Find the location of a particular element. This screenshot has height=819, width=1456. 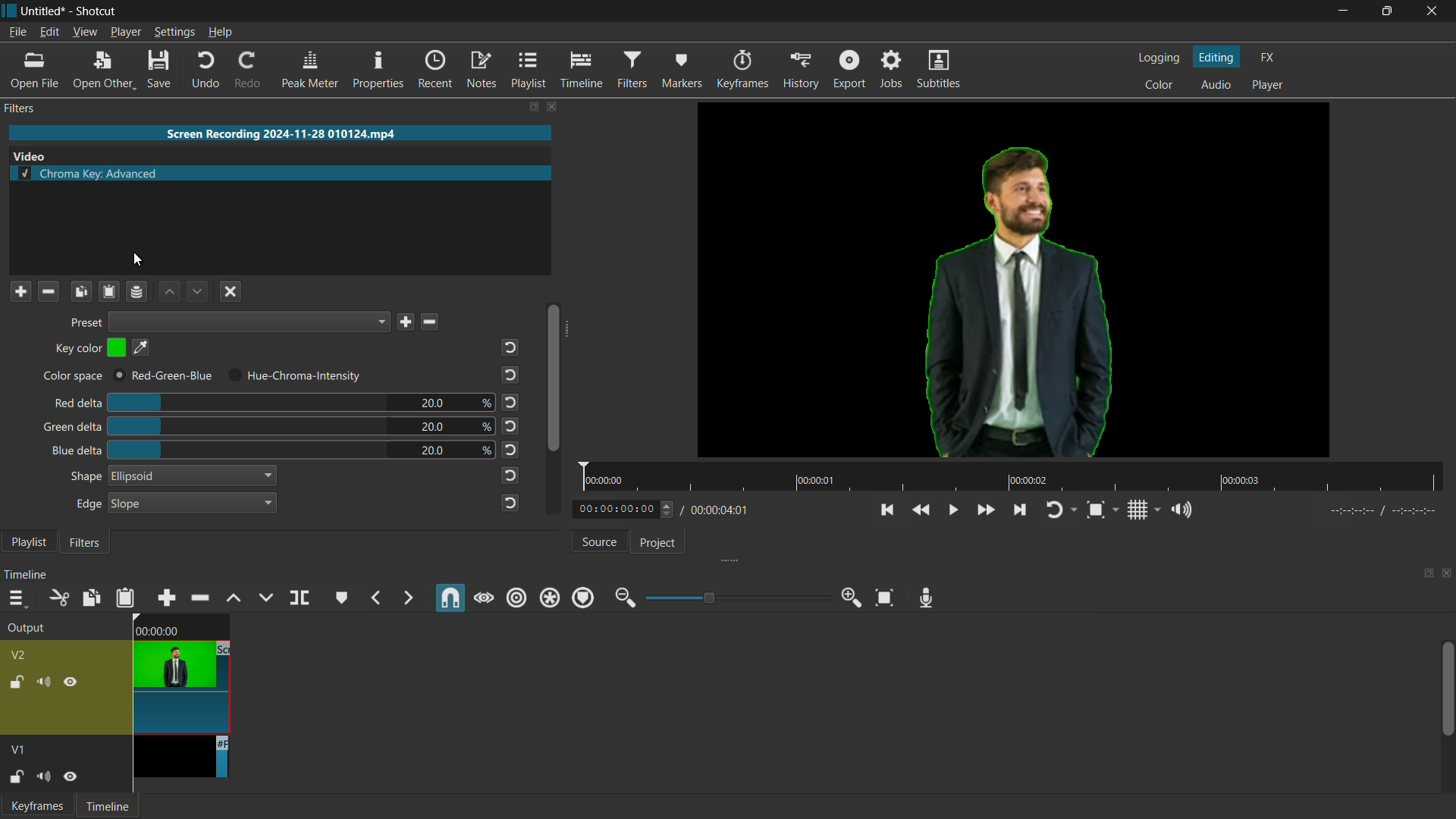

toggle player looping is located at coordinates (1054, 510).